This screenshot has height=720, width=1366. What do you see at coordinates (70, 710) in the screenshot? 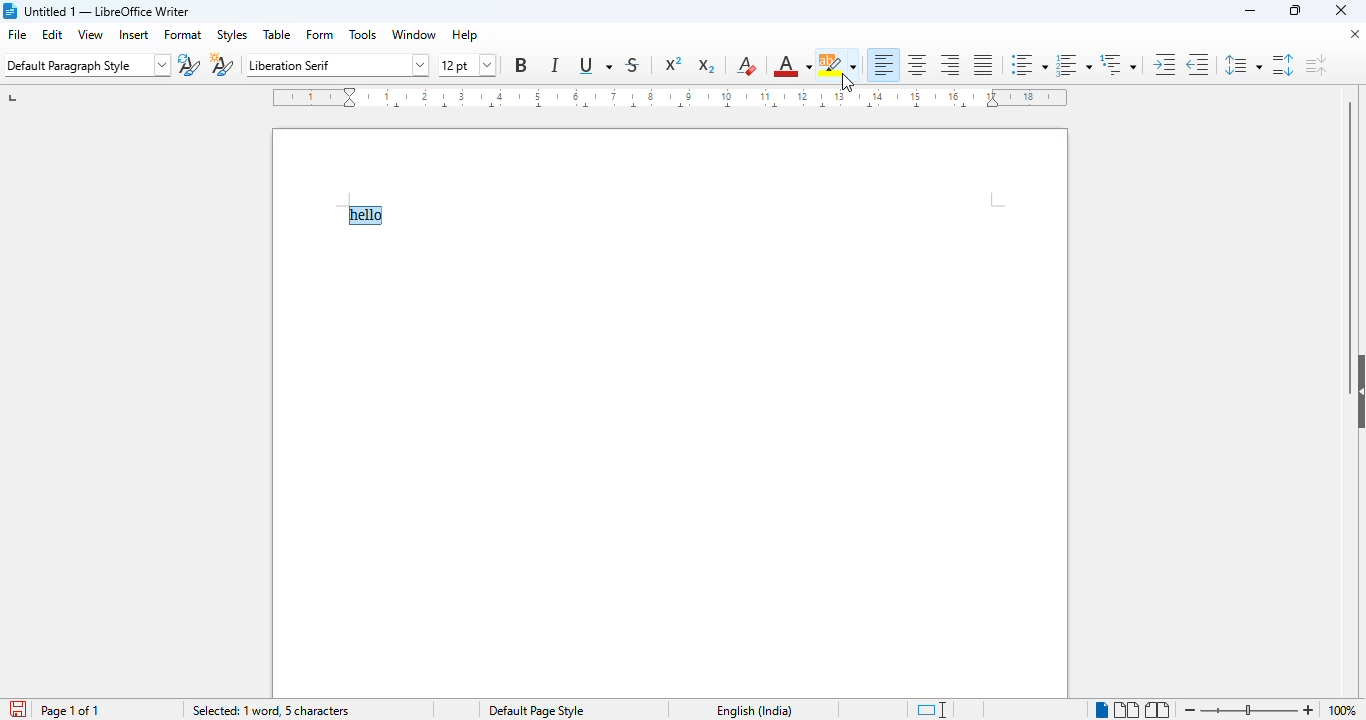
I see `page 1 of 1` at bounding box center [70, 710].